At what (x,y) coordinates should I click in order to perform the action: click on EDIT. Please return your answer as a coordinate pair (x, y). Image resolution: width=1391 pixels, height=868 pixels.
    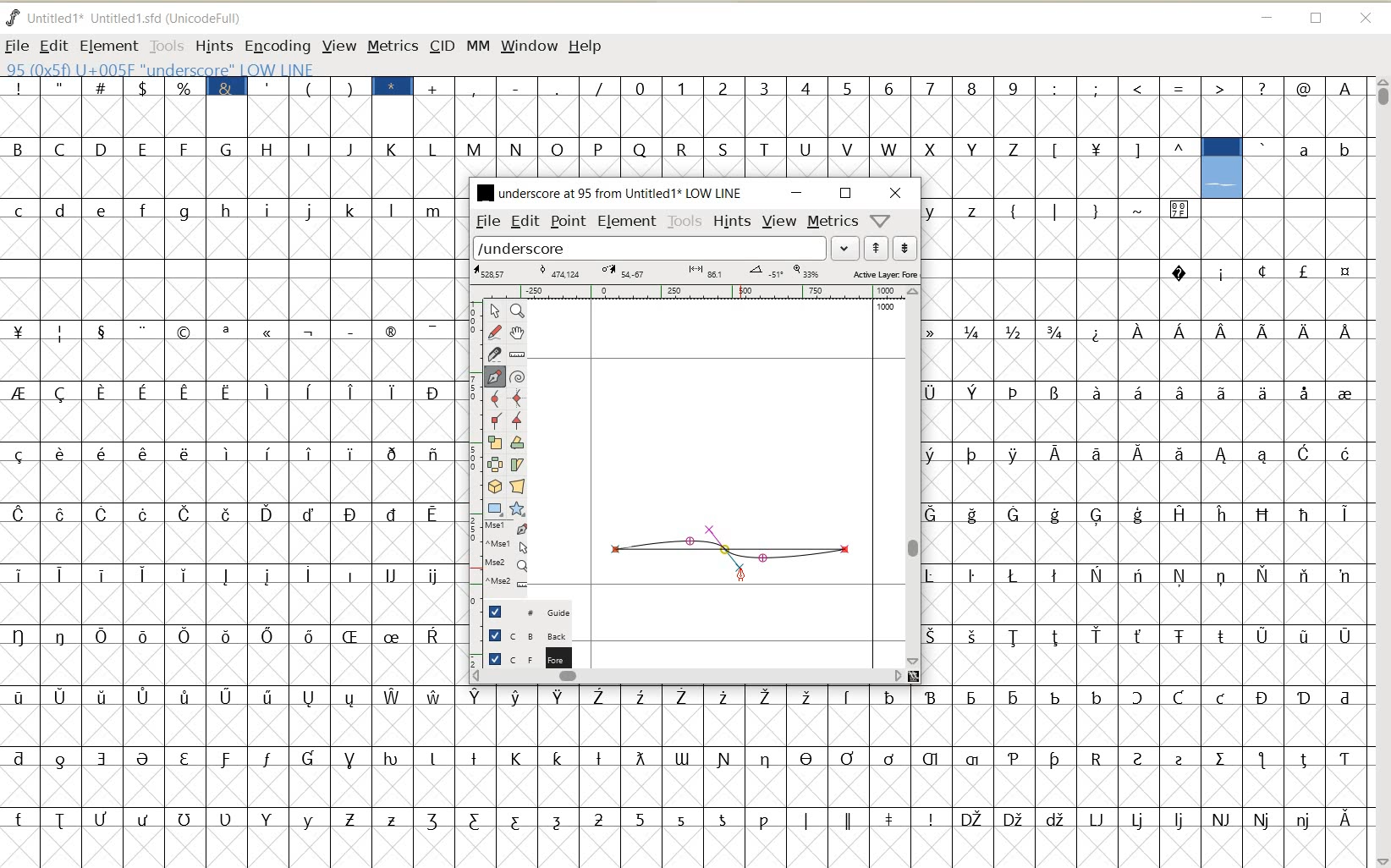
    Looking at the image, I should click on (52, 47).